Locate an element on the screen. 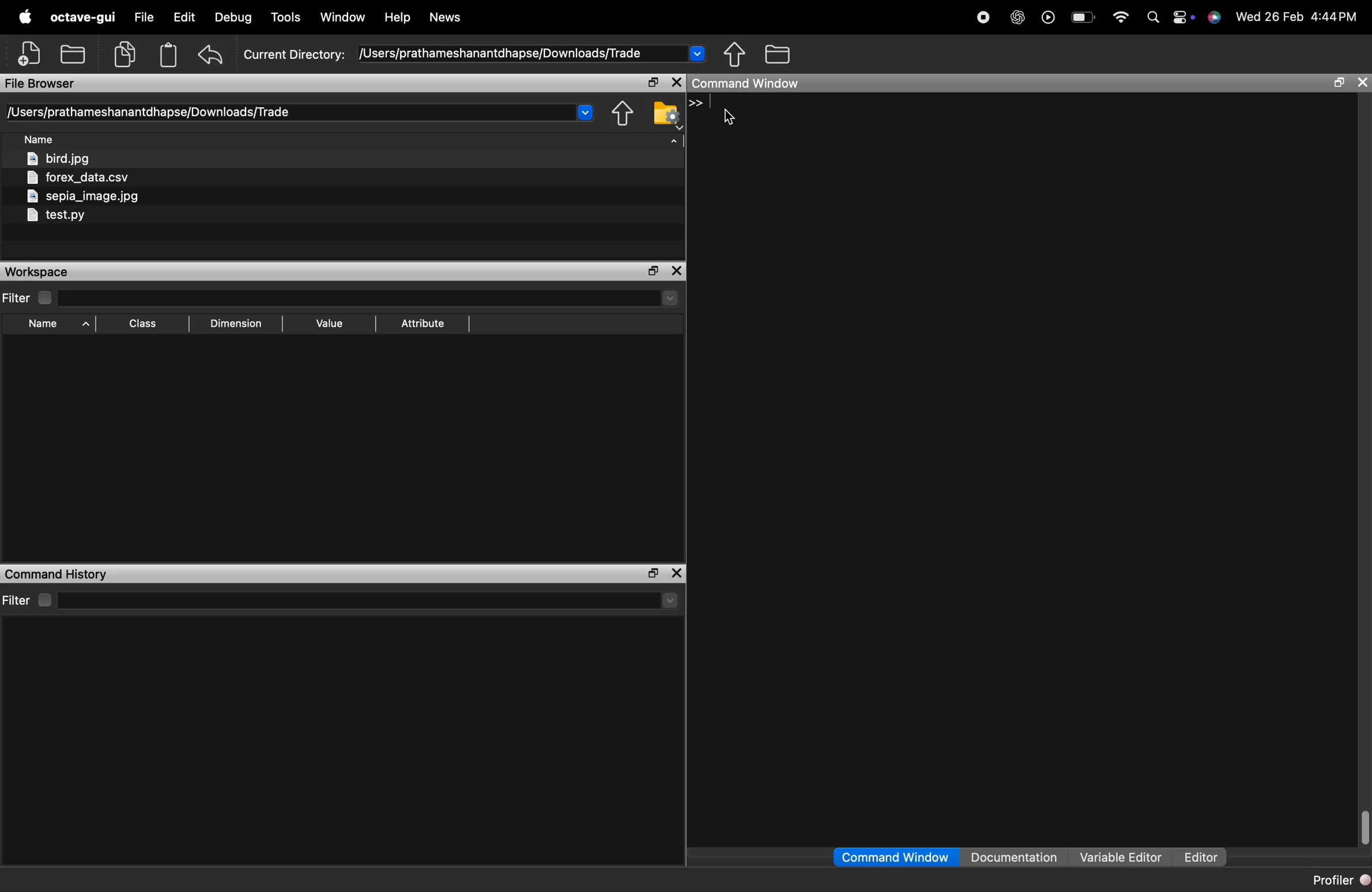 This screenshot has width=1372, height=892. open in separate window is located at coordinates (654, 82).